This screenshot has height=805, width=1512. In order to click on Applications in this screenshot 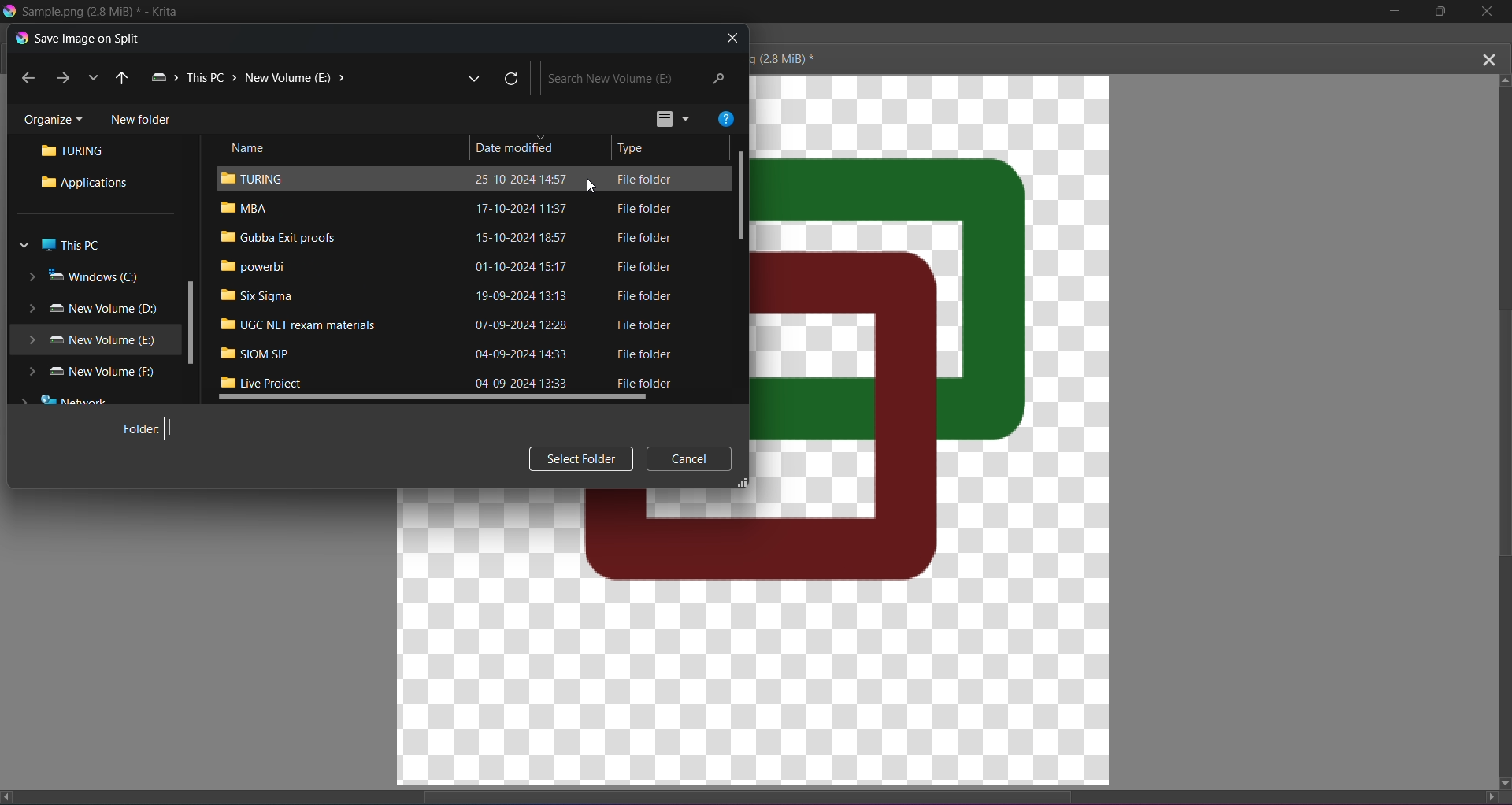, I will do `click(83, 184)`.